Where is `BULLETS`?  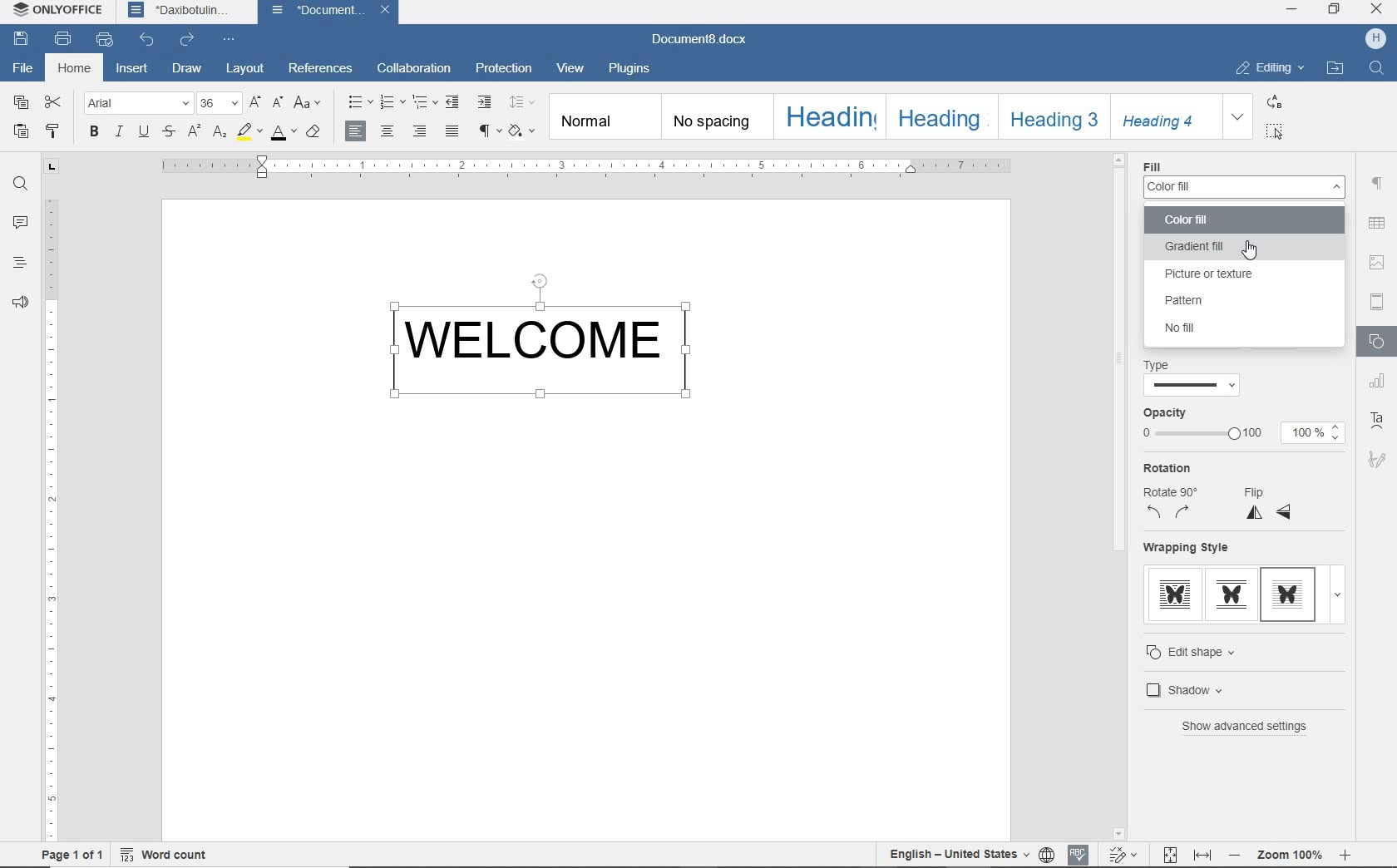
BULLETS is located at coordinates (358, 101).